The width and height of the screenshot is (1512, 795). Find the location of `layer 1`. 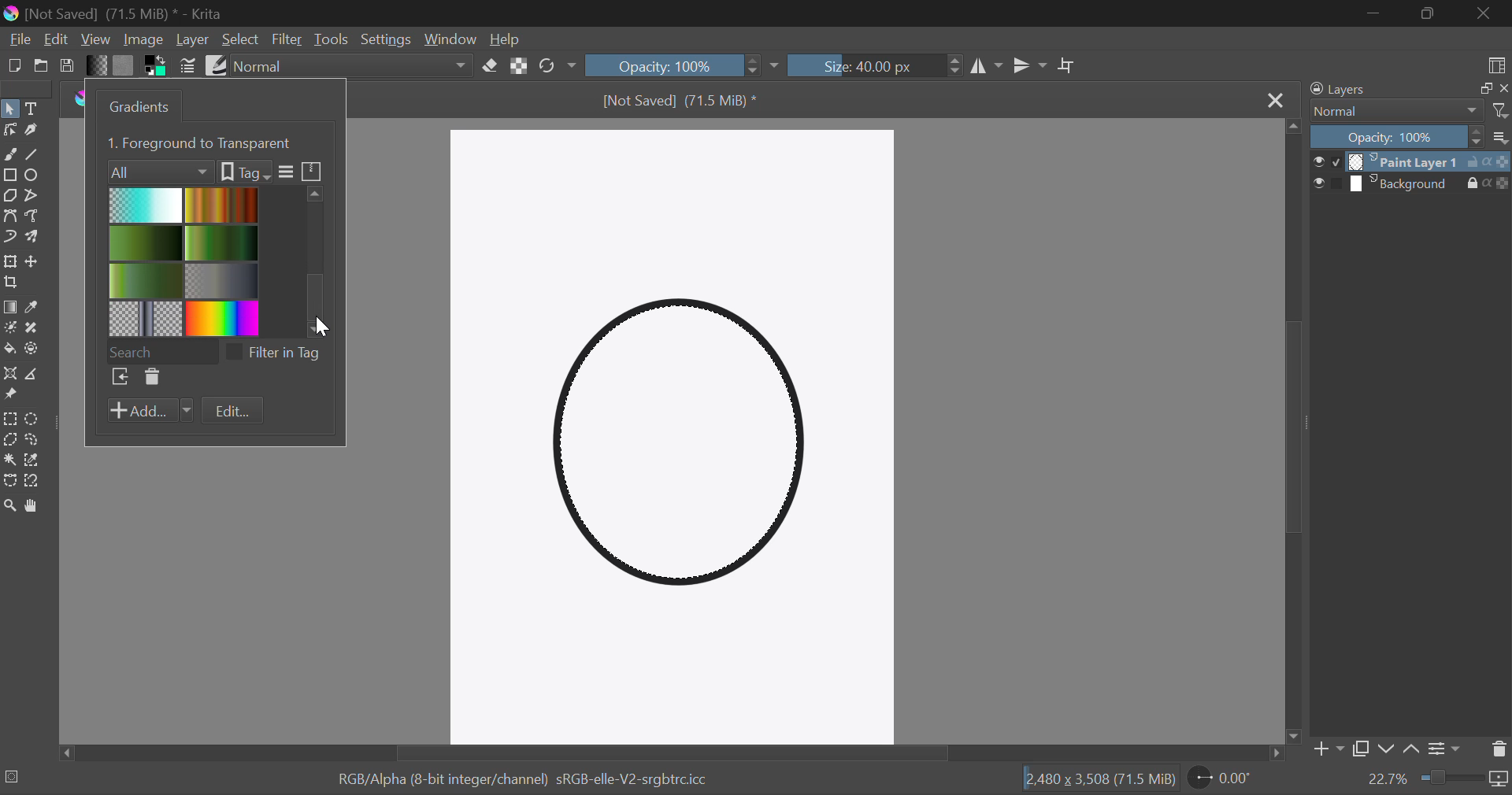

layer 1 is located at coordinates (1405, 162).